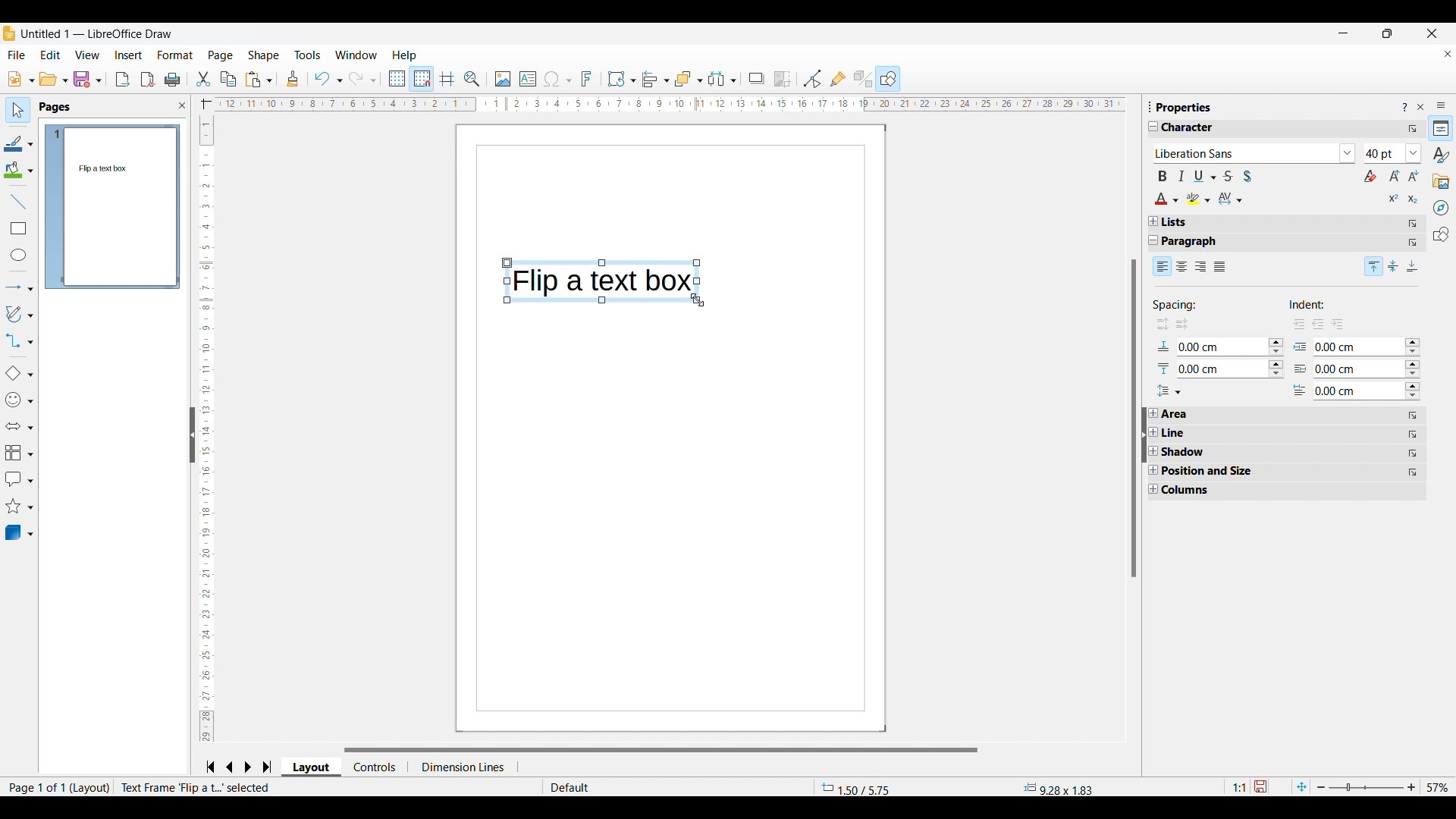  I want to click on Shape menu, so click(263, 55).